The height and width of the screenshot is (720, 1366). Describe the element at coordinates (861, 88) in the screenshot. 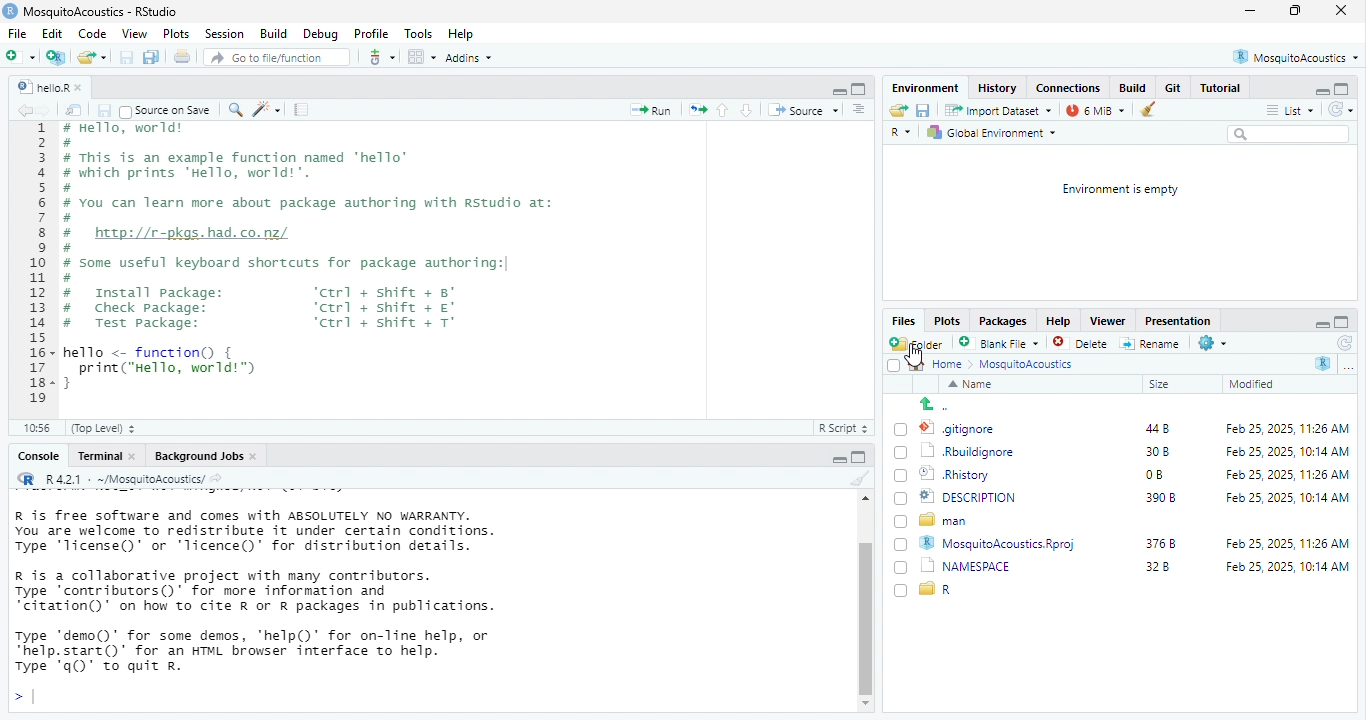

I see `hide console` at that location.